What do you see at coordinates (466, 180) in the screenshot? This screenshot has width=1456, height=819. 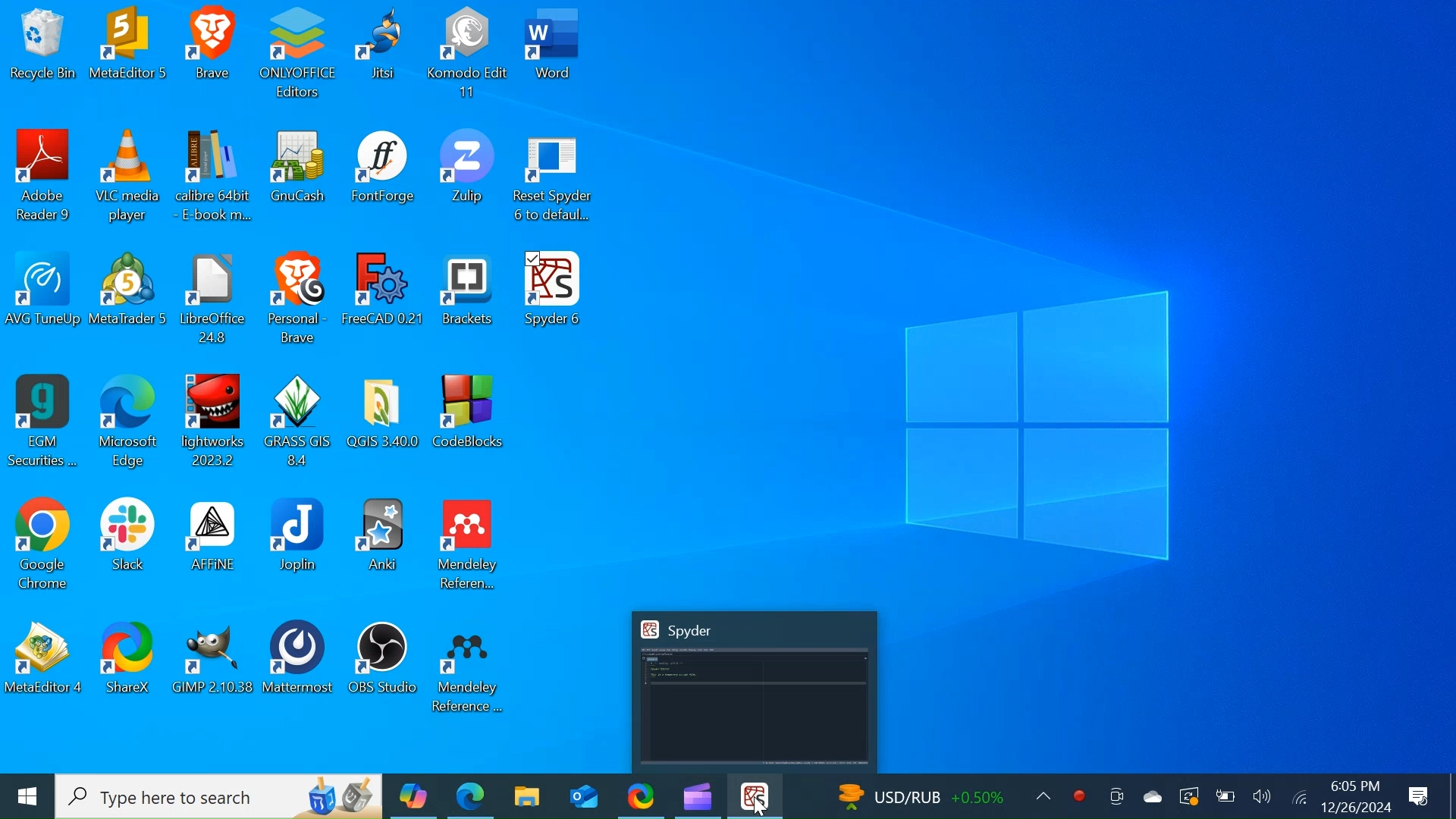 I see `Zulip` at bounding box center [466, 180].